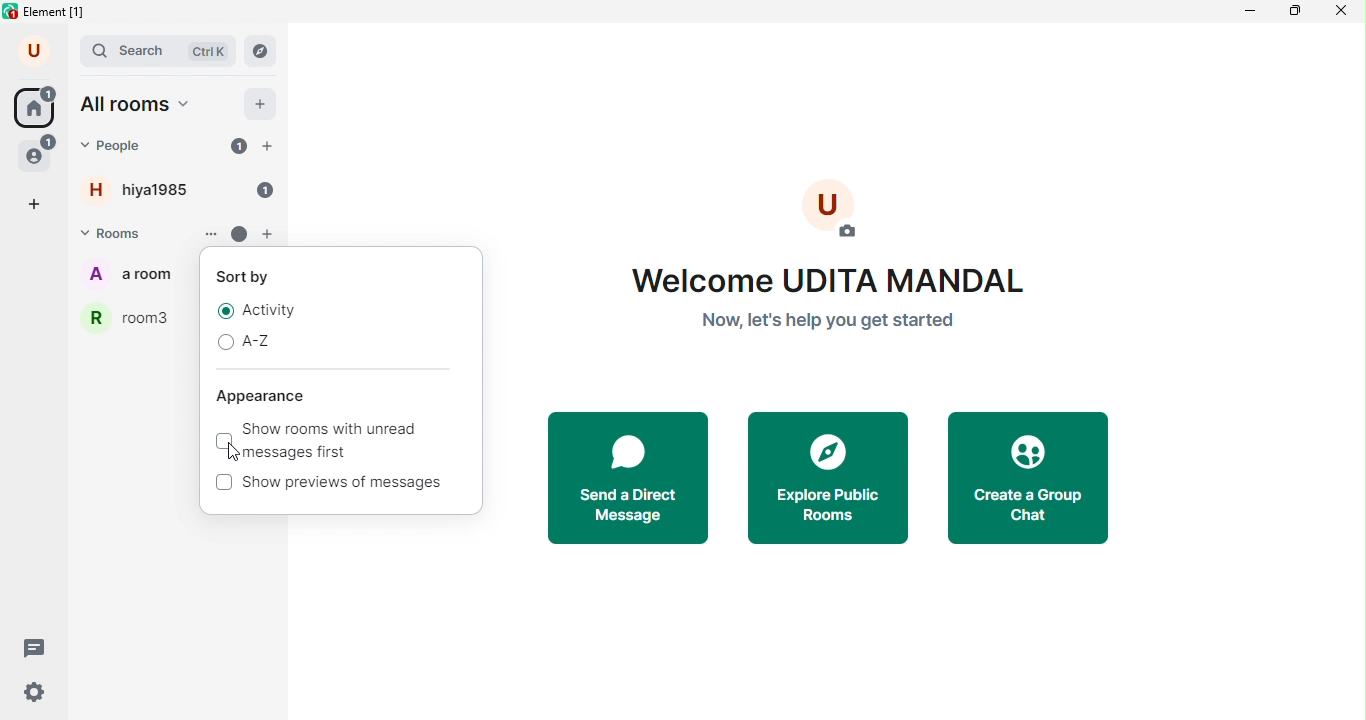 The image size is (1366, 720). Describe the element at coordinates (207, 233) in the screenshot. I see `options` at that location.